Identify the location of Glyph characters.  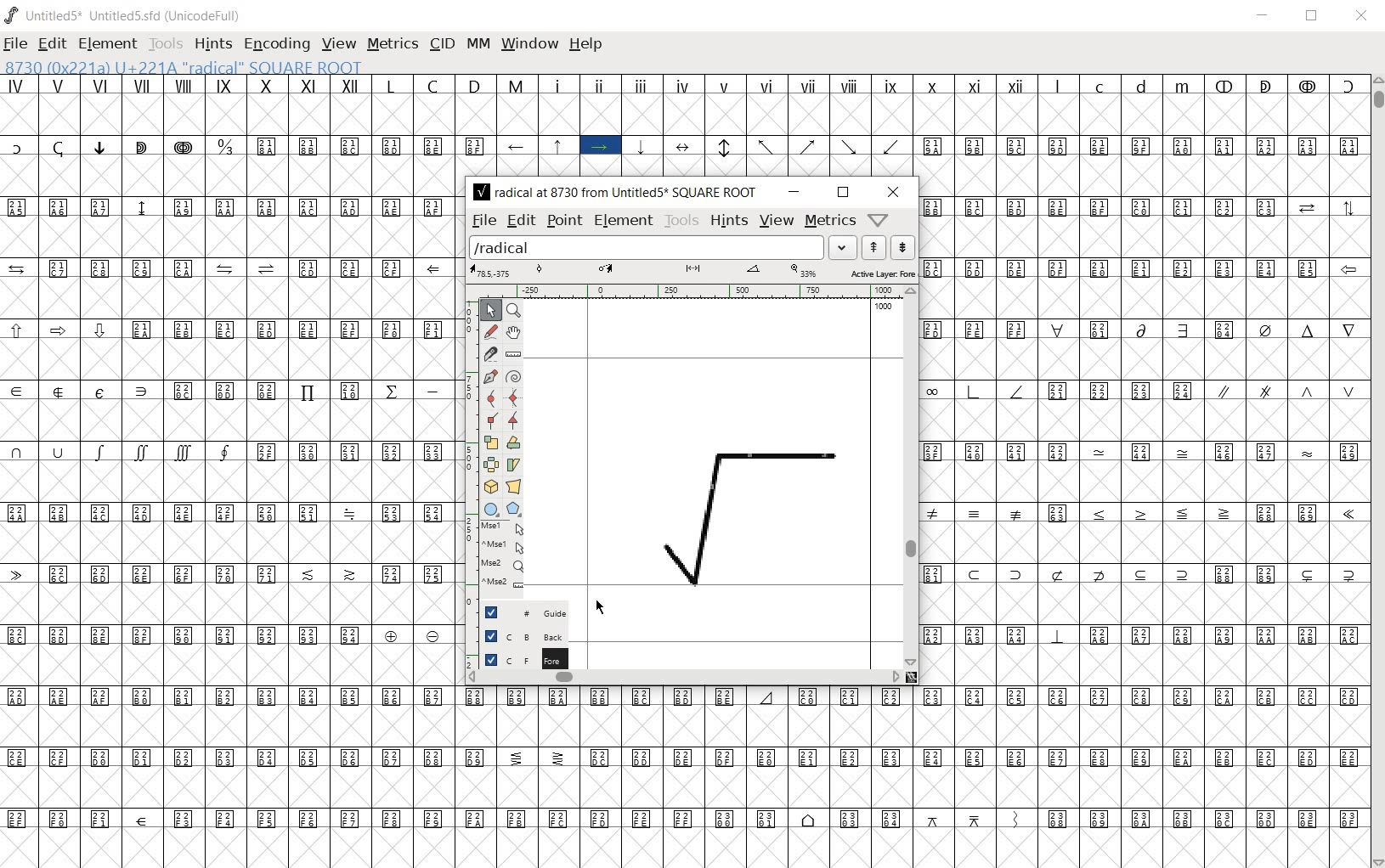
(1143, 440).